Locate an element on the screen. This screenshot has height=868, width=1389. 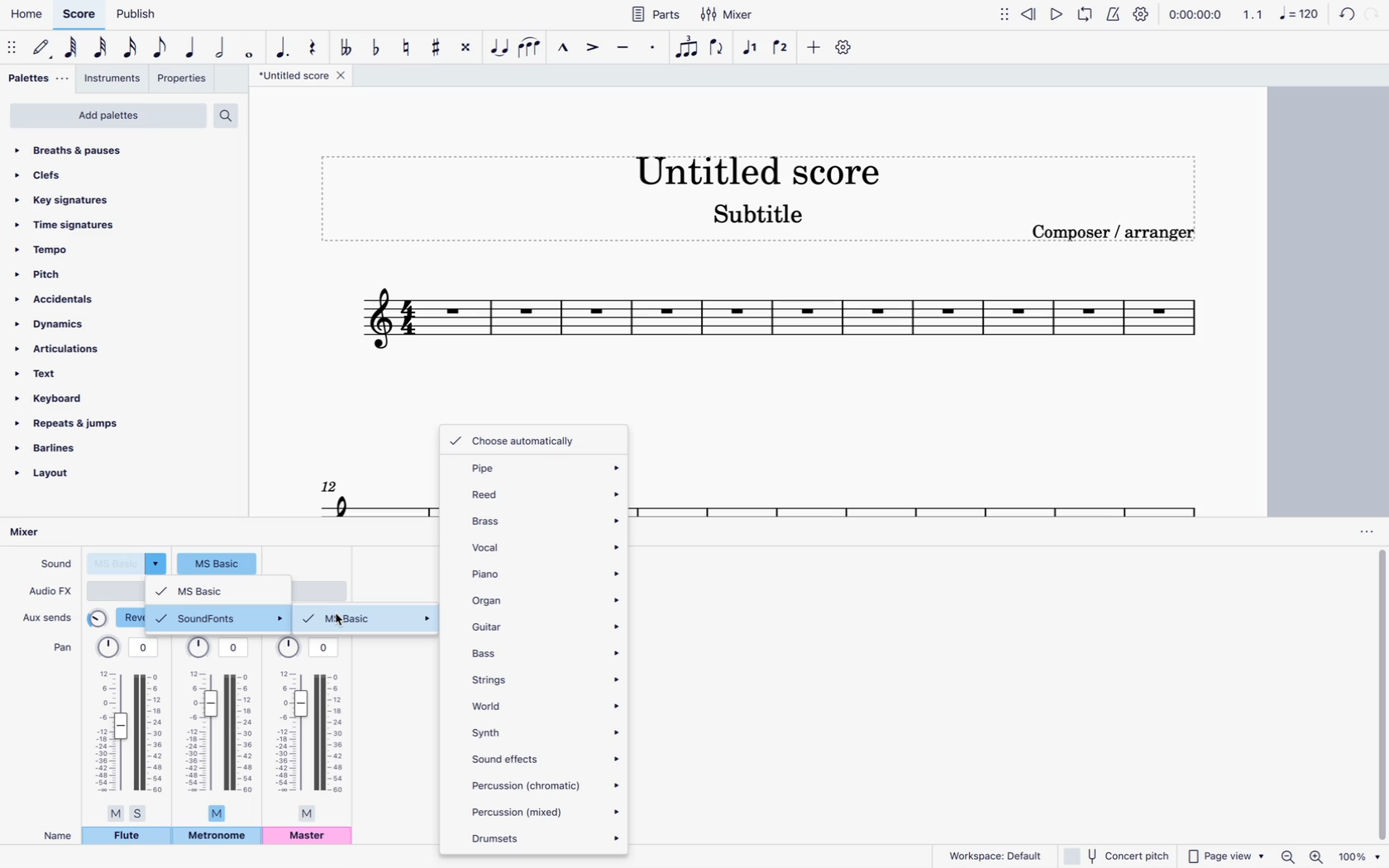
32nd note is located at coordinates (103, 48).